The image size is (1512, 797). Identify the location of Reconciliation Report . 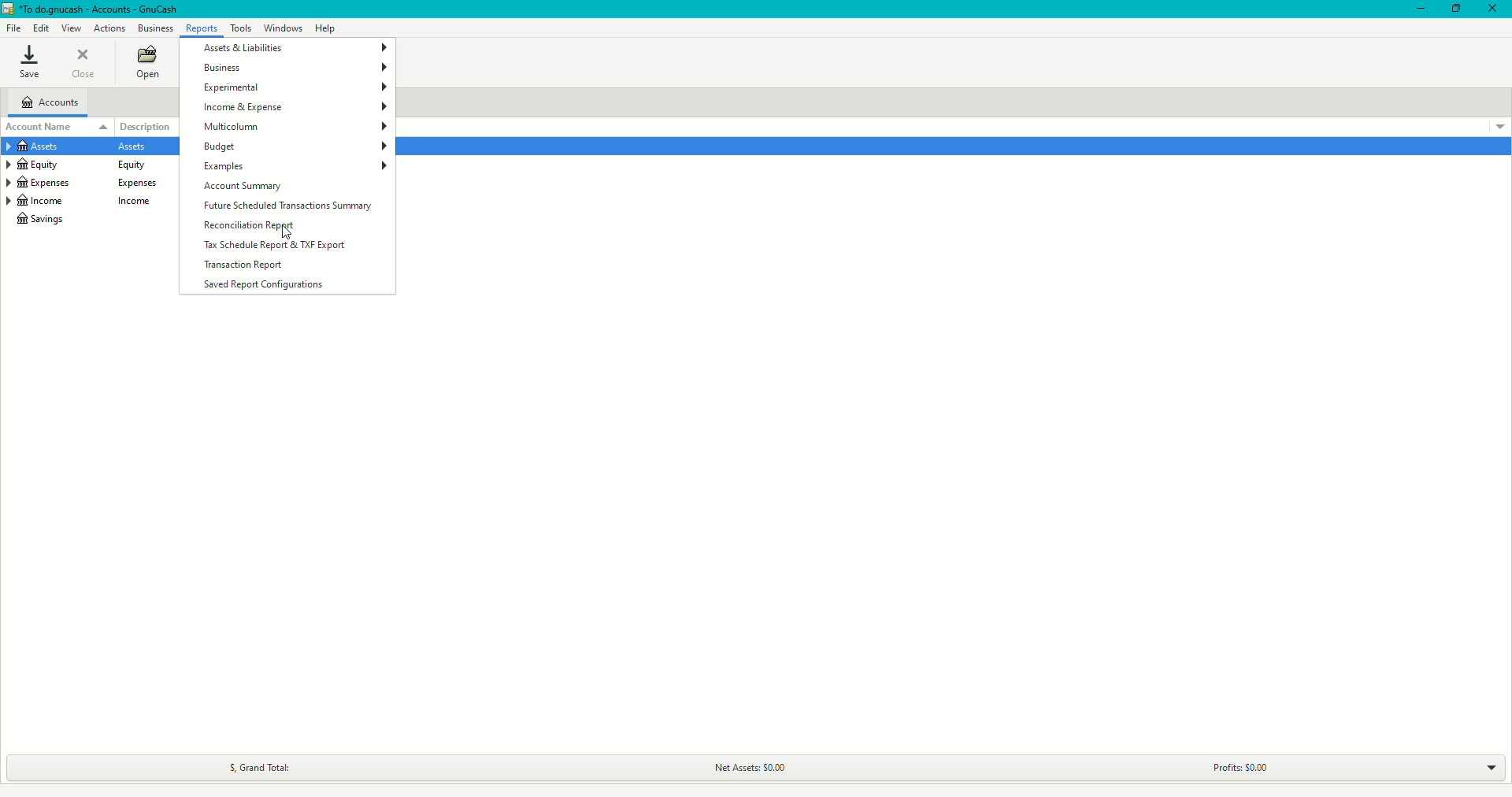
(249, 227).